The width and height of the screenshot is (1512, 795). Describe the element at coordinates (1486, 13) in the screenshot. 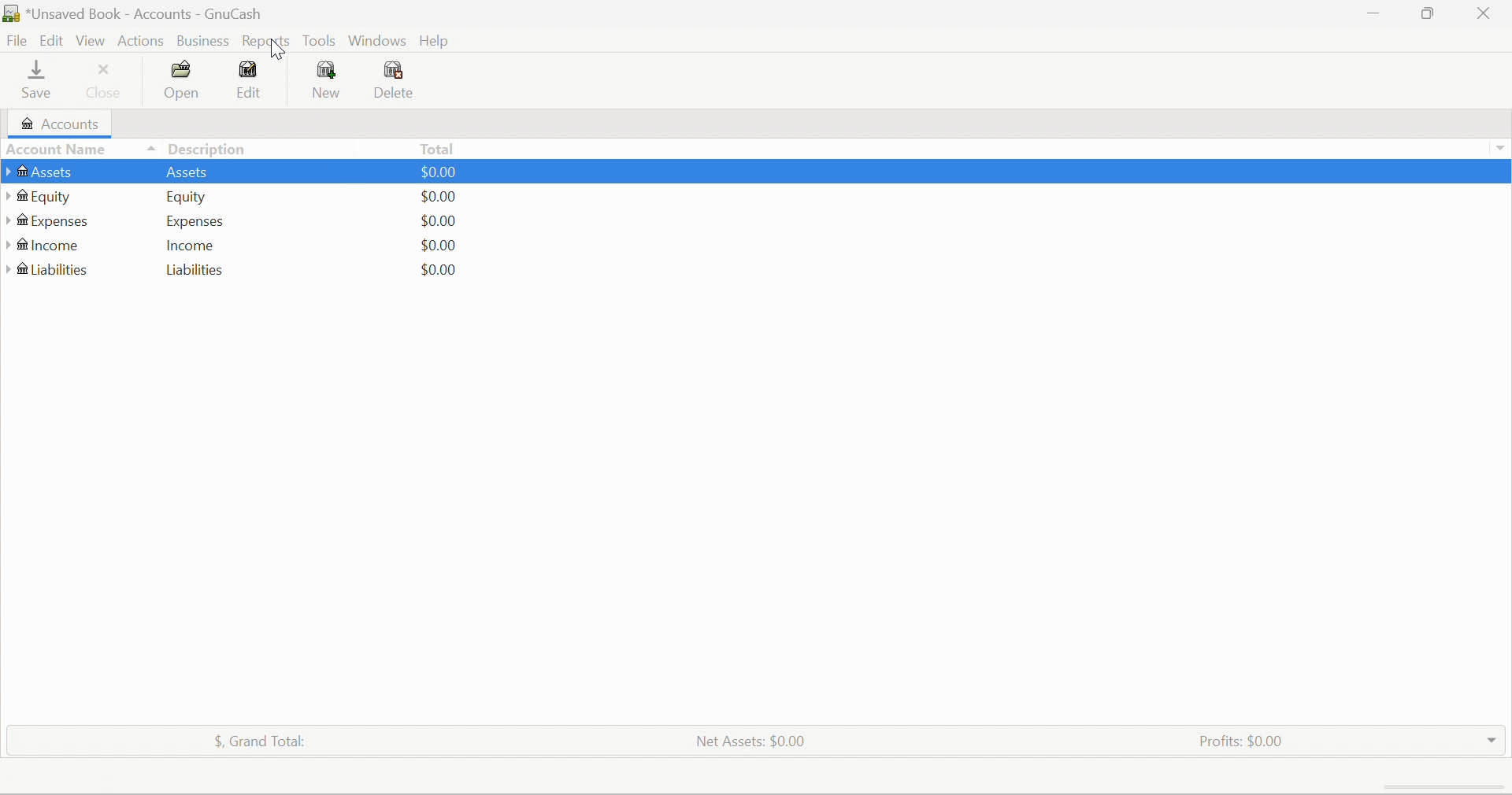

I see `Close` at that location.